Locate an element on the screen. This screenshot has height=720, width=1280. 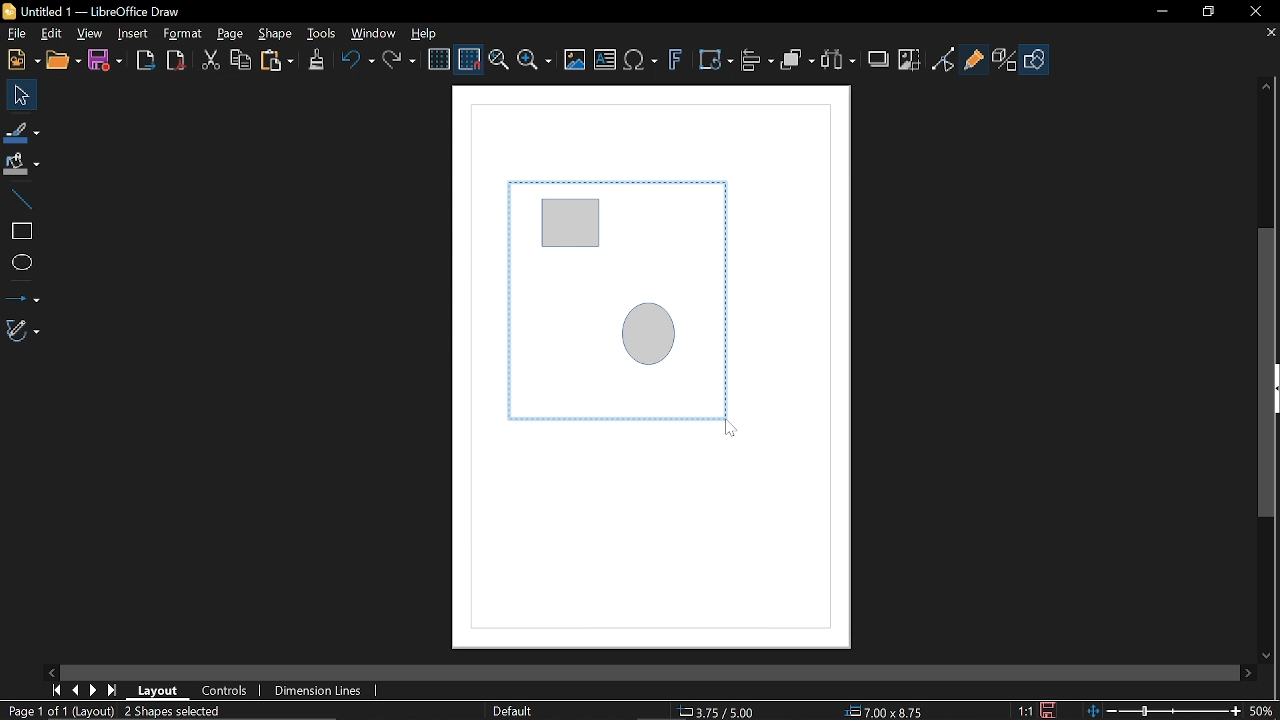
Change Zoom is located at coordinates (1166, 712).